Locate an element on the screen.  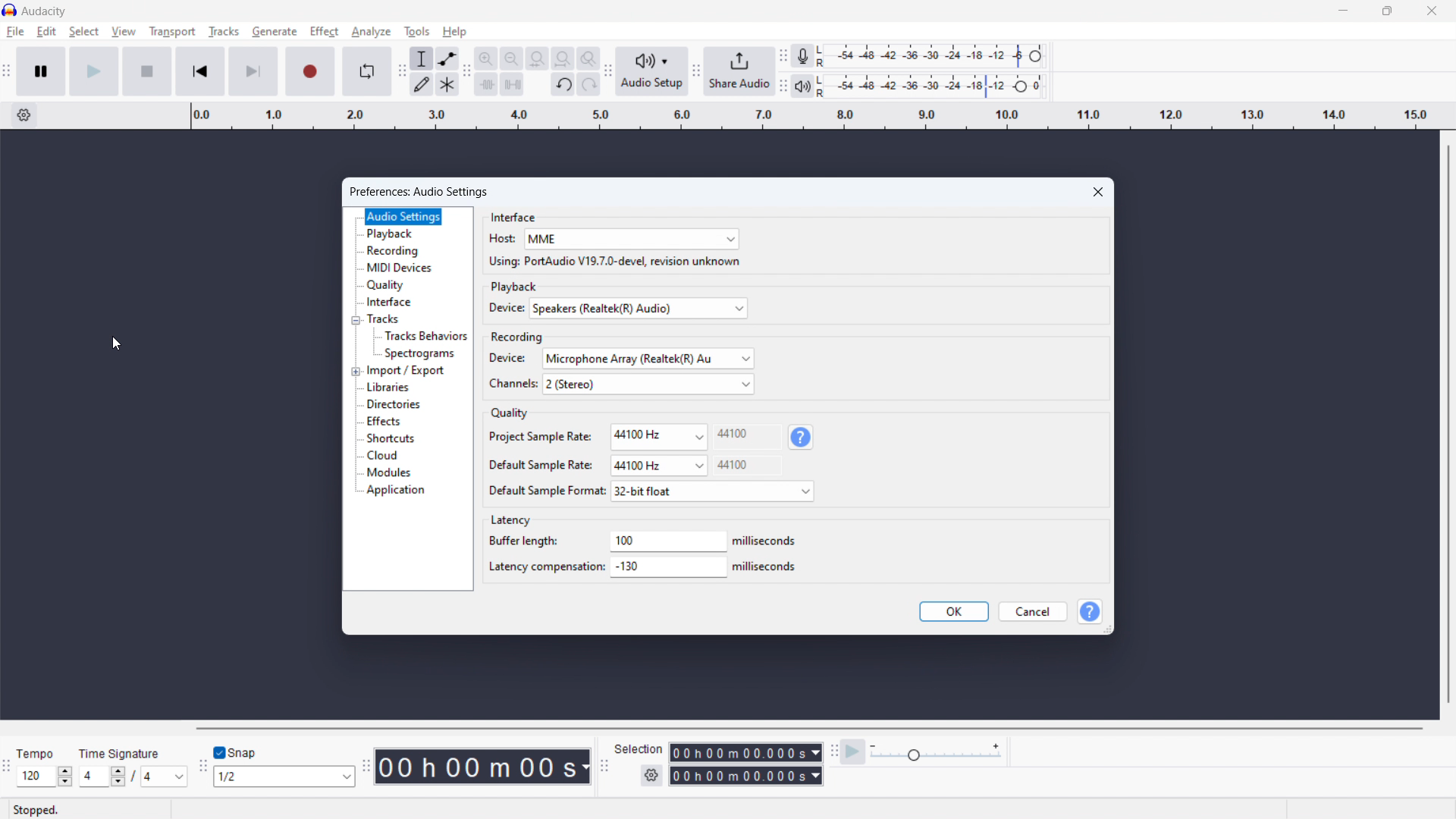
shortcuts is located at coordinates (391, 438).